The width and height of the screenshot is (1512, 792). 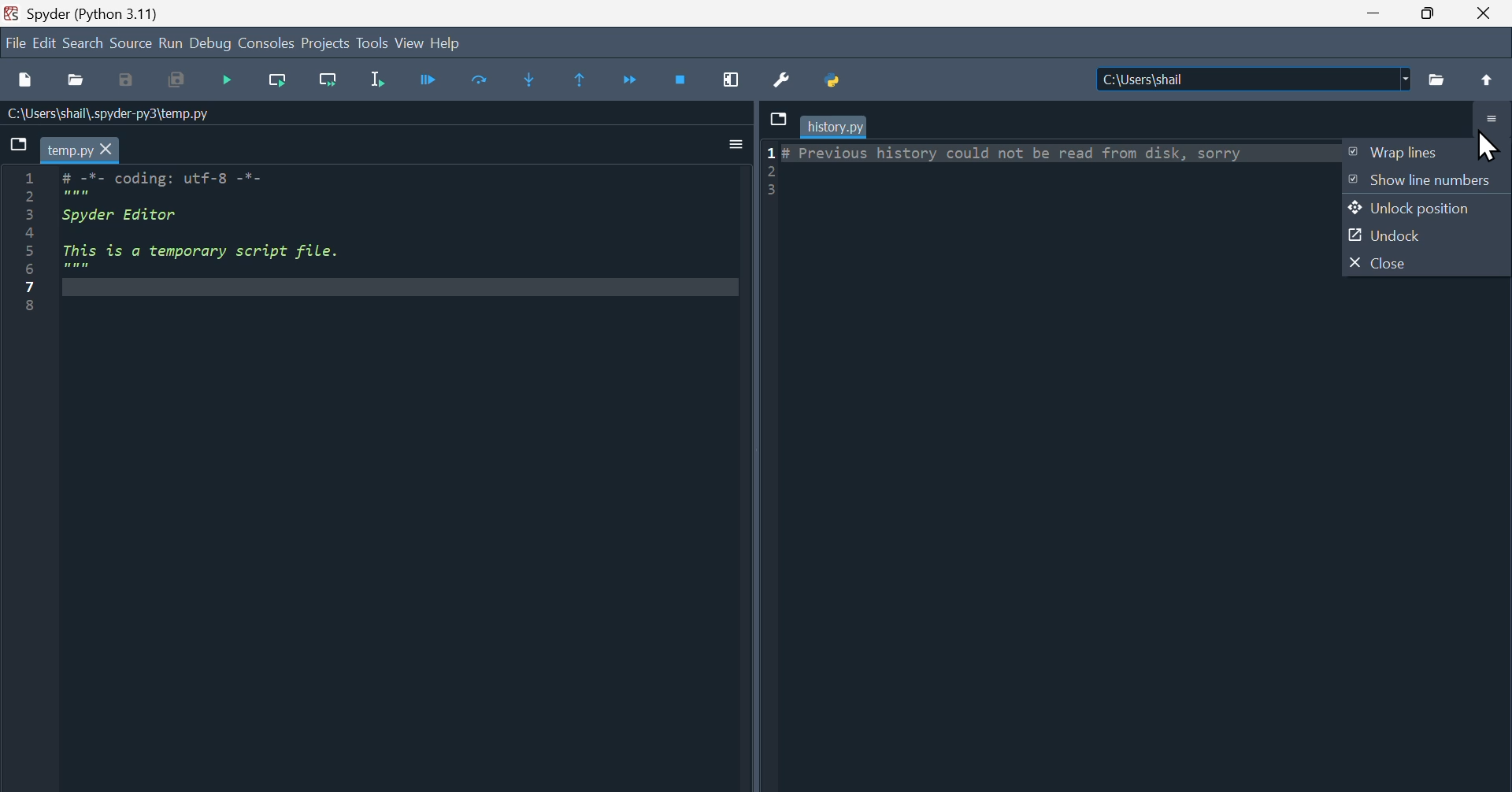 What do you see at coordinates (1483, 144) in the screenshot?
I see `Cursor` at bounding box center [1483, 144].